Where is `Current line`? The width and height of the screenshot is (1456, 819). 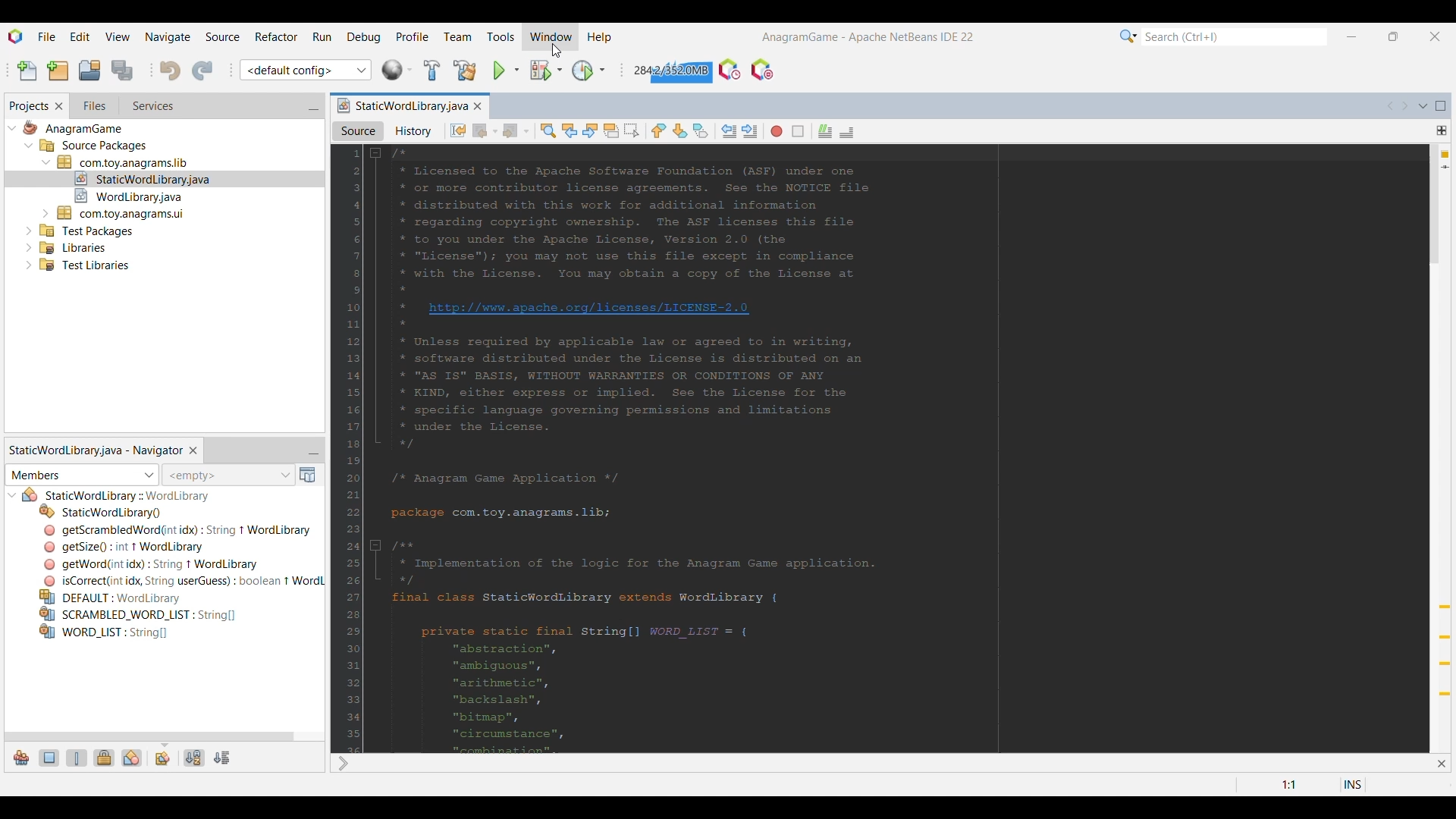
Current line is located at coordinates (1445, 167).